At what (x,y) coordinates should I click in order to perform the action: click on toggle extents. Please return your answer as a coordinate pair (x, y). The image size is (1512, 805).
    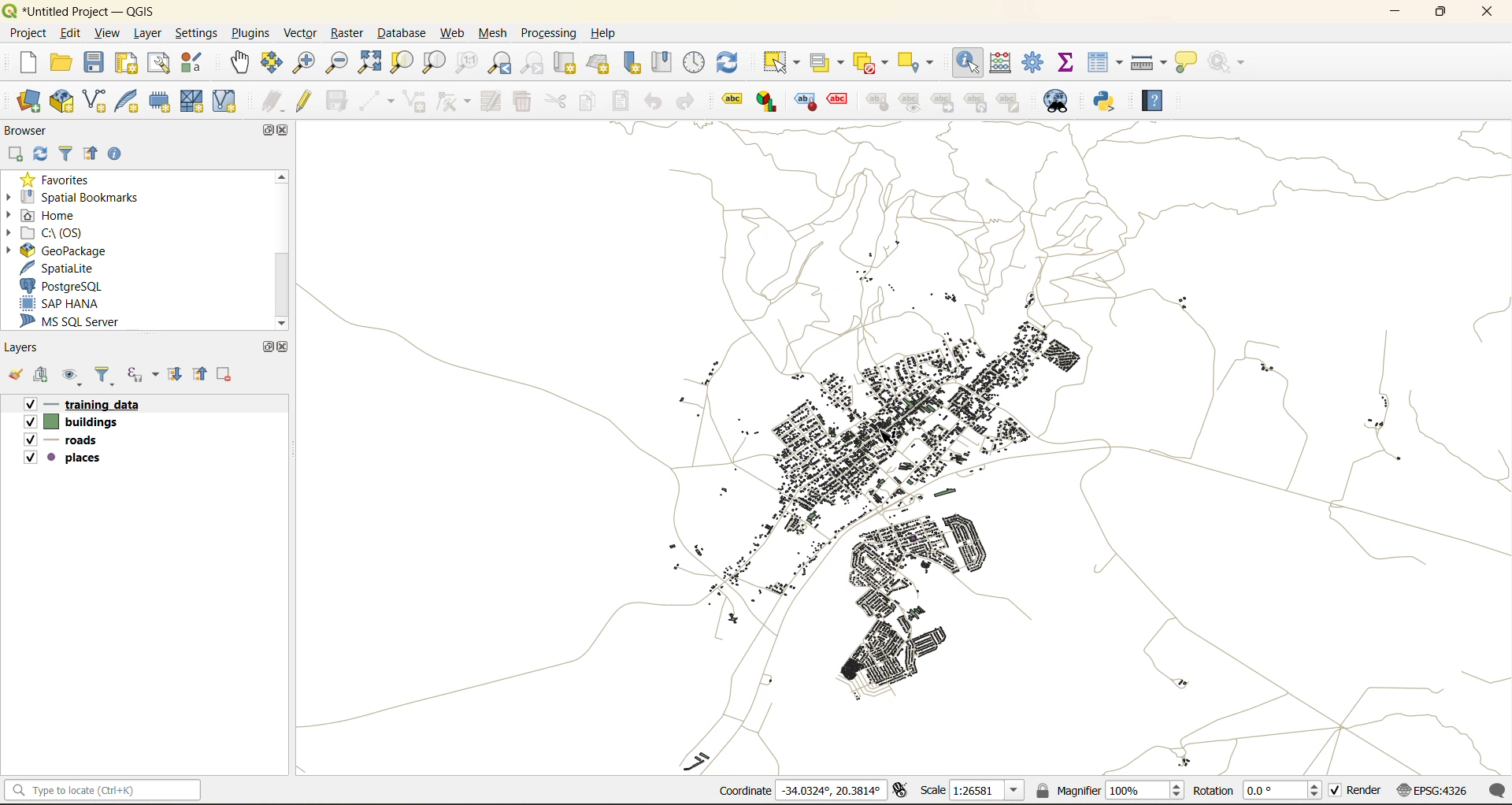
    Looking at the image, I should click on (902, 792).